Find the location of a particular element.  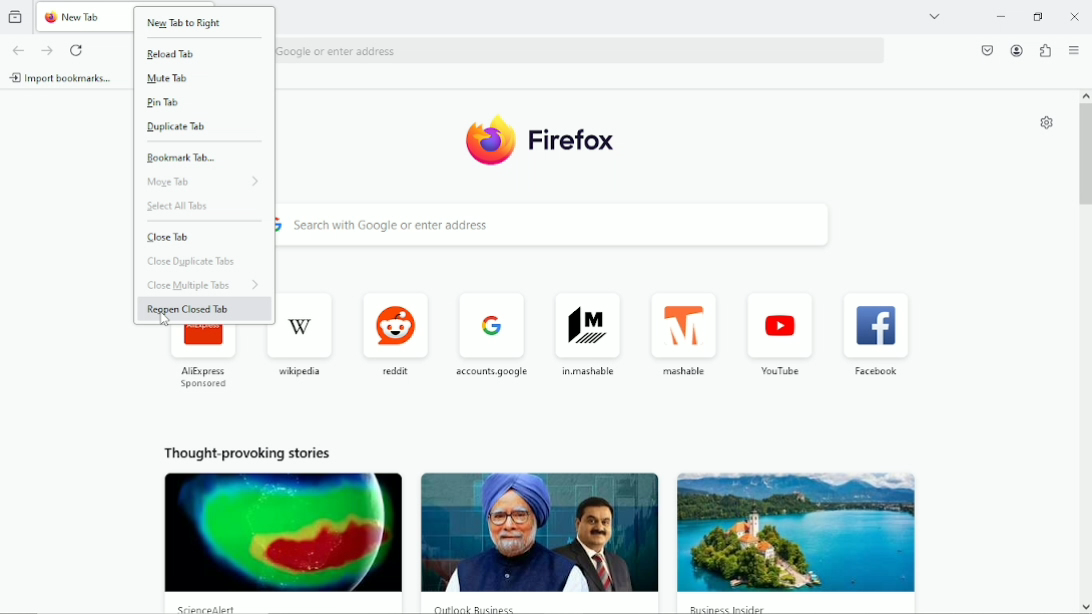

Vertical scroll bar is located at coordinates (1085, 149).